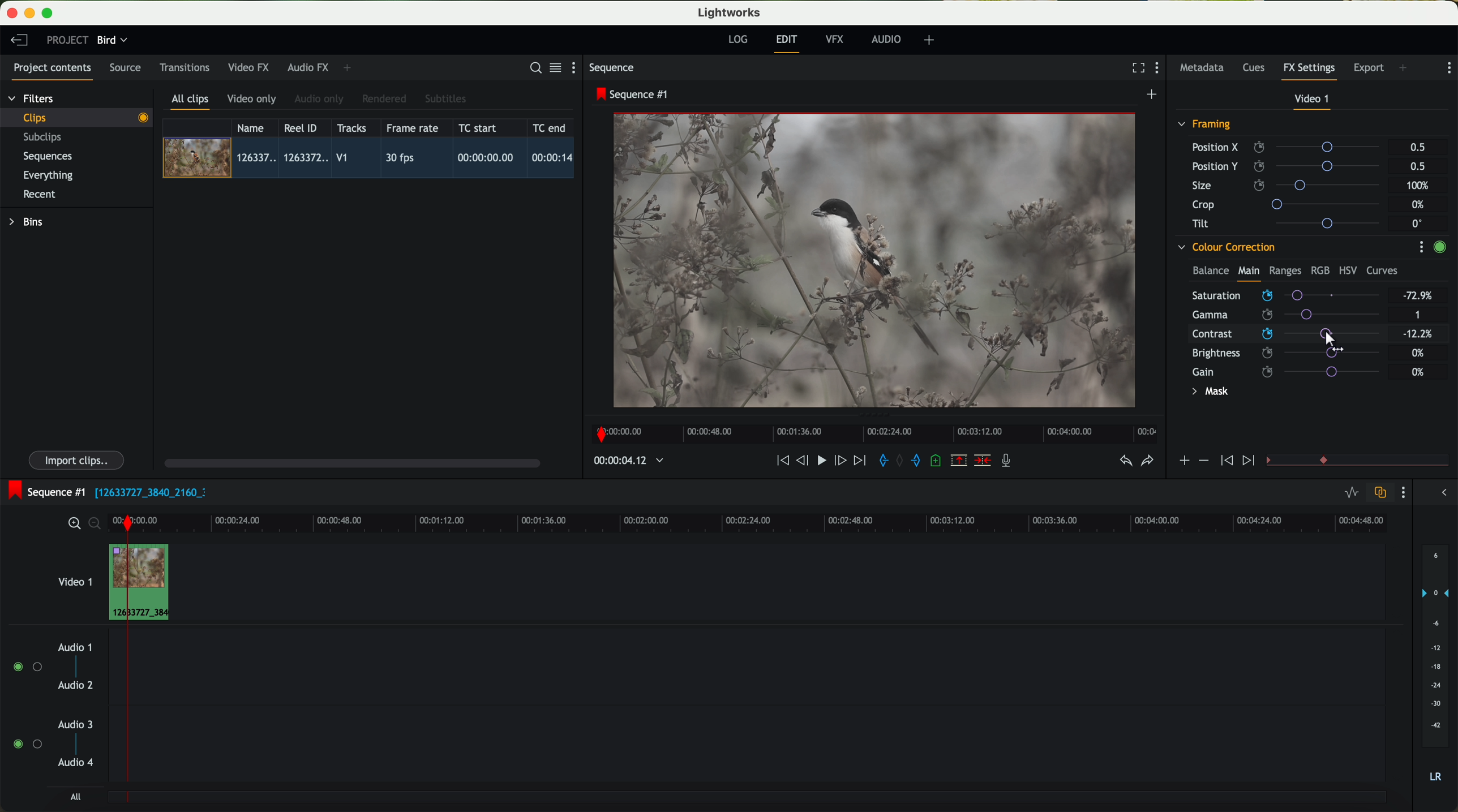  What do you see at coordinates (78, 459) in the screenshot?
I see `import clips` at bounding box center [78, 459].